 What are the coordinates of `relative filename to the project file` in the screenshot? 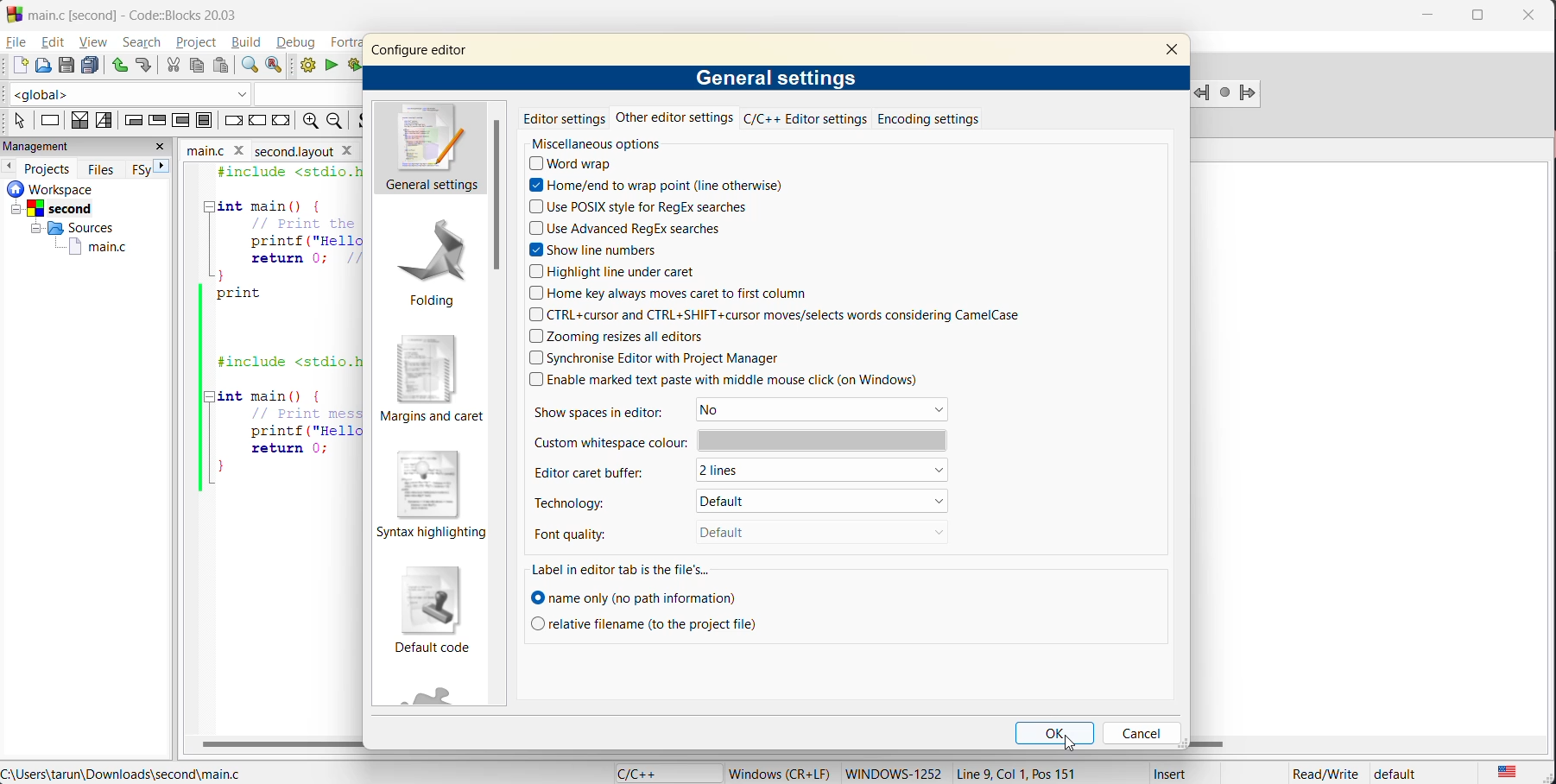 It's located at (642, 623).